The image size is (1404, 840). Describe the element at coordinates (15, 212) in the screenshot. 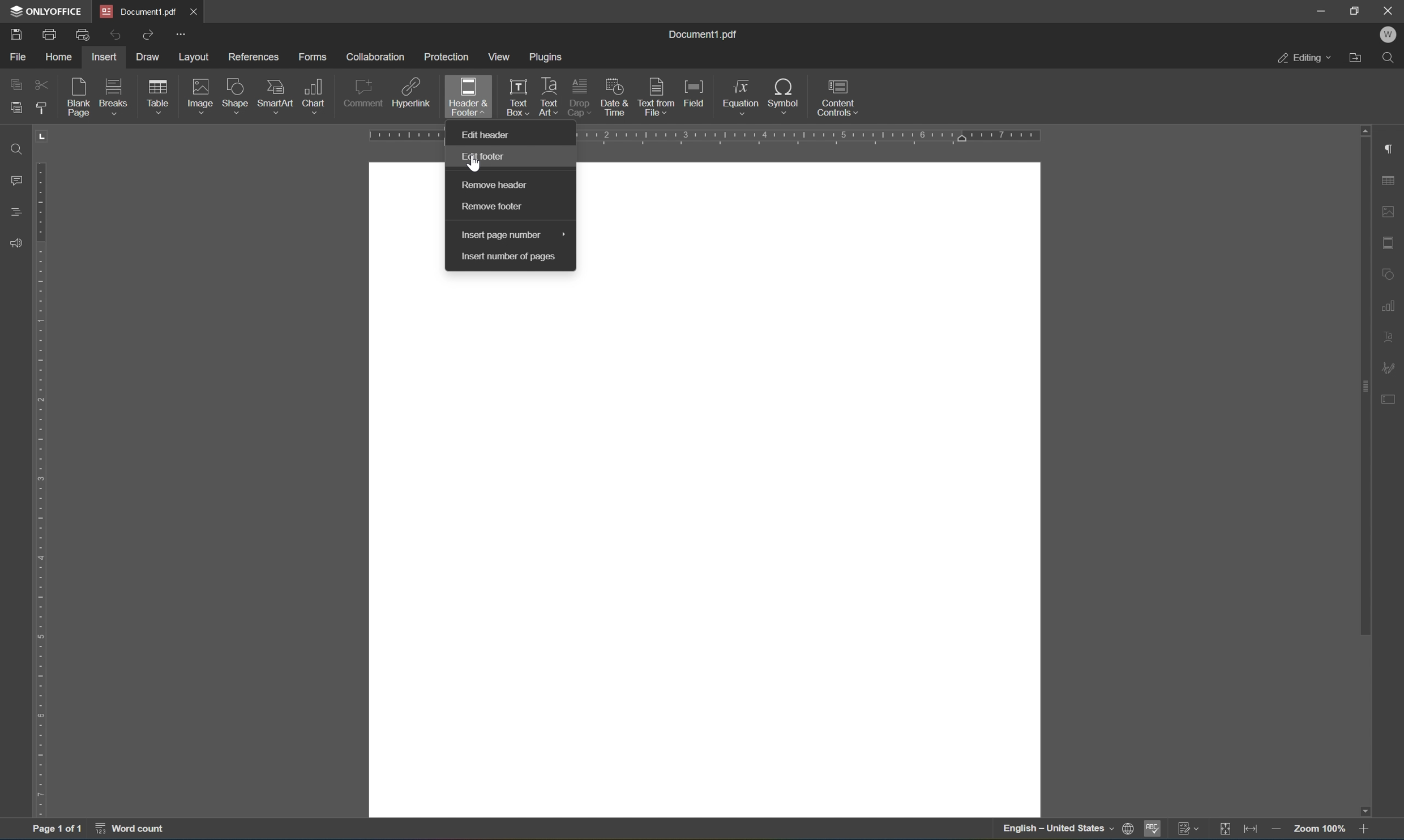

I see `headings` at that location.